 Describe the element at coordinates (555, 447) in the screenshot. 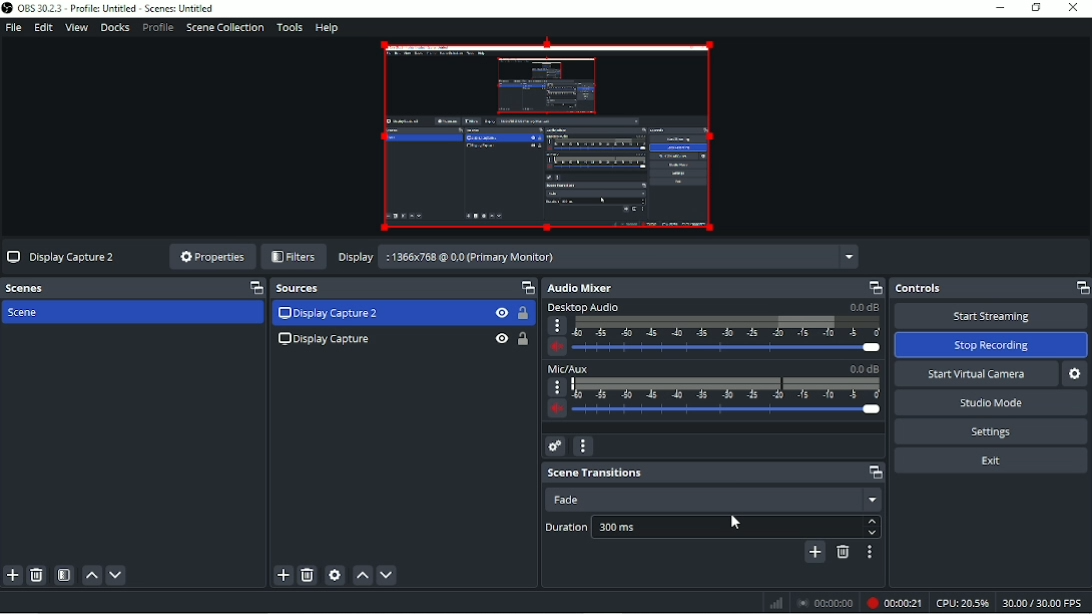

I see `Advanced audio properties` at that location.